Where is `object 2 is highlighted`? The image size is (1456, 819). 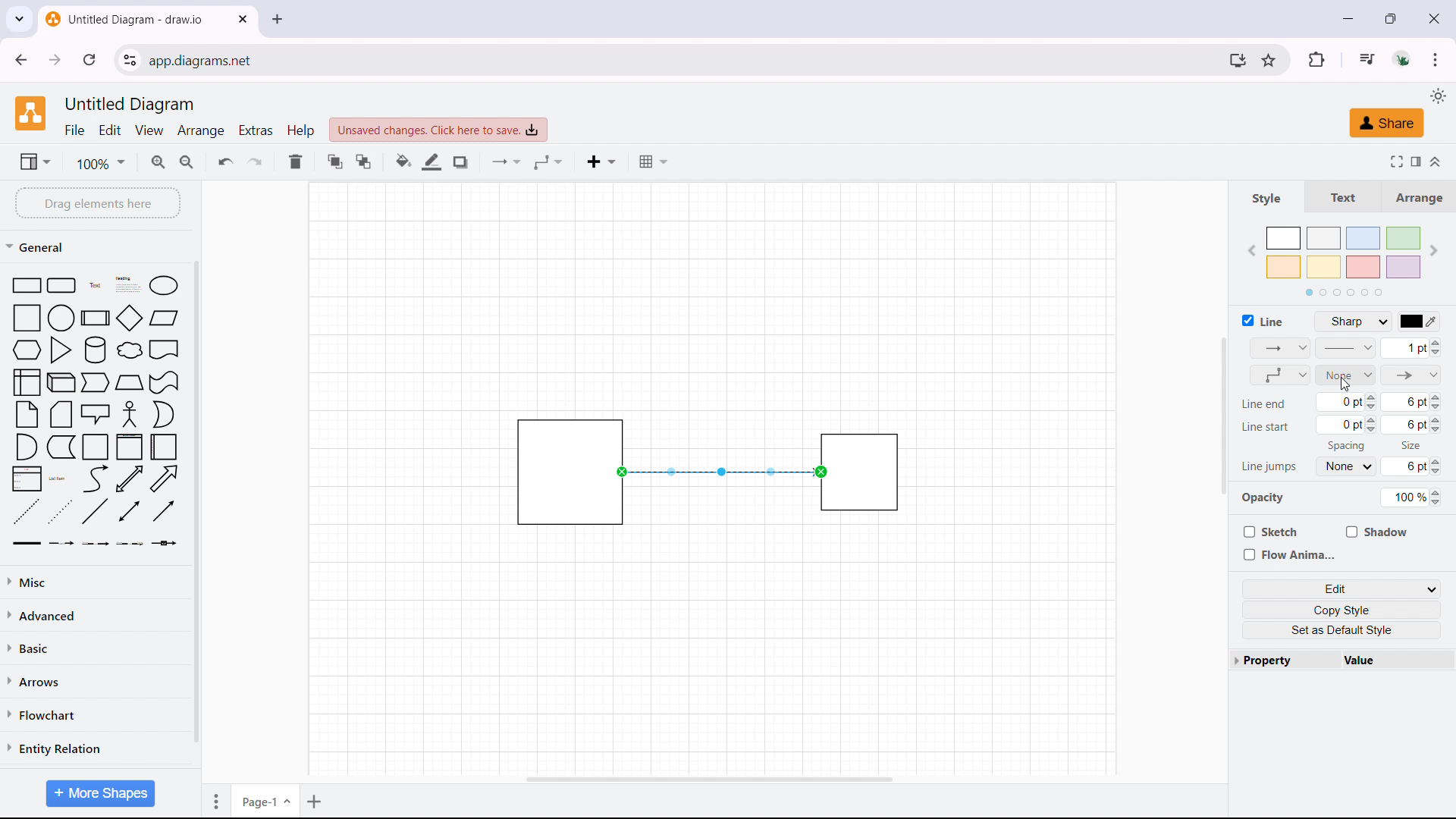
object 2 is highlighted is located at coordinates (863, 472).